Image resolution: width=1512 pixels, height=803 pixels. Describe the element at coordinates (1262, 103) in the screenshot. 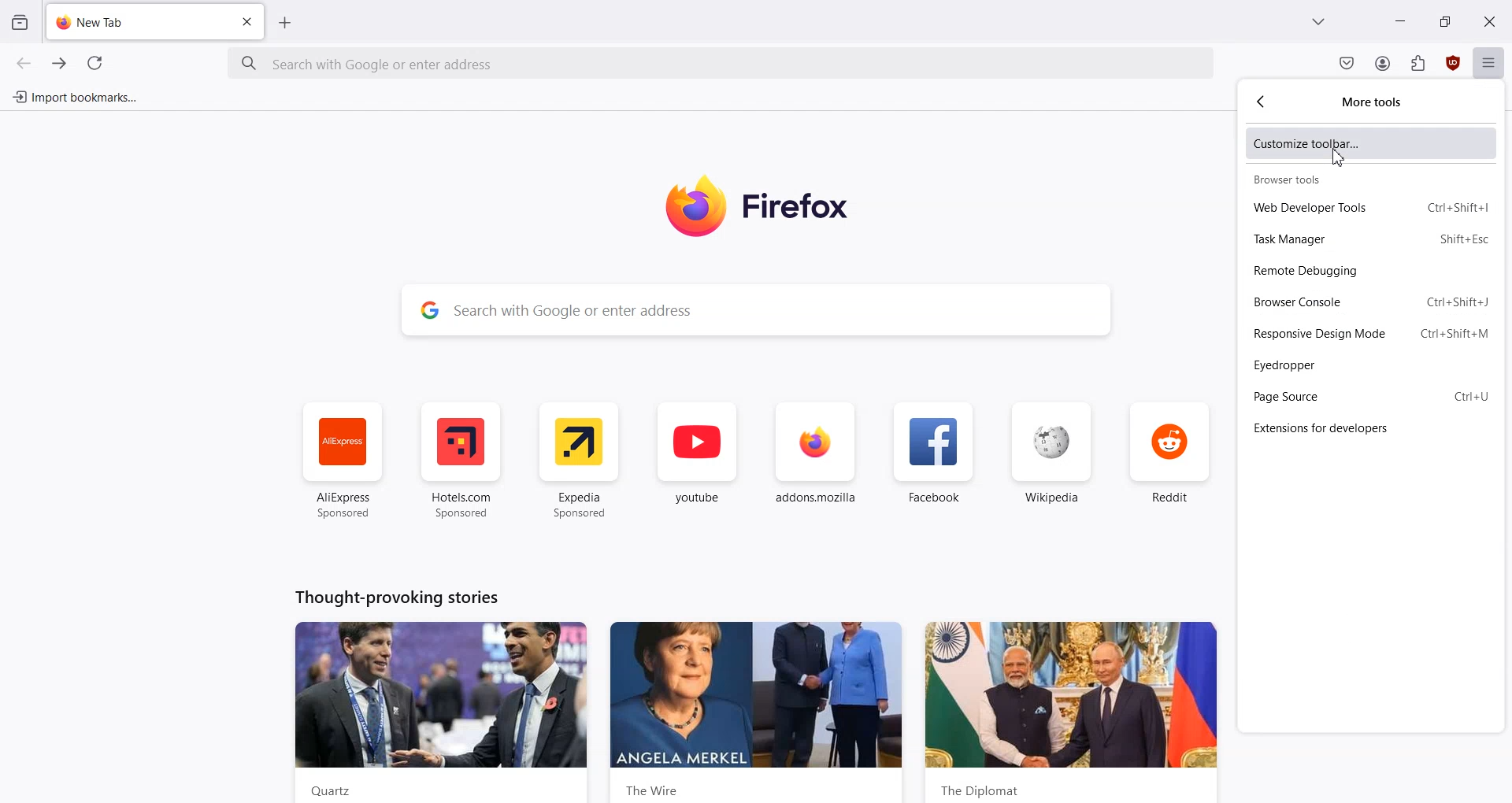

I see `Go Back` at that location.